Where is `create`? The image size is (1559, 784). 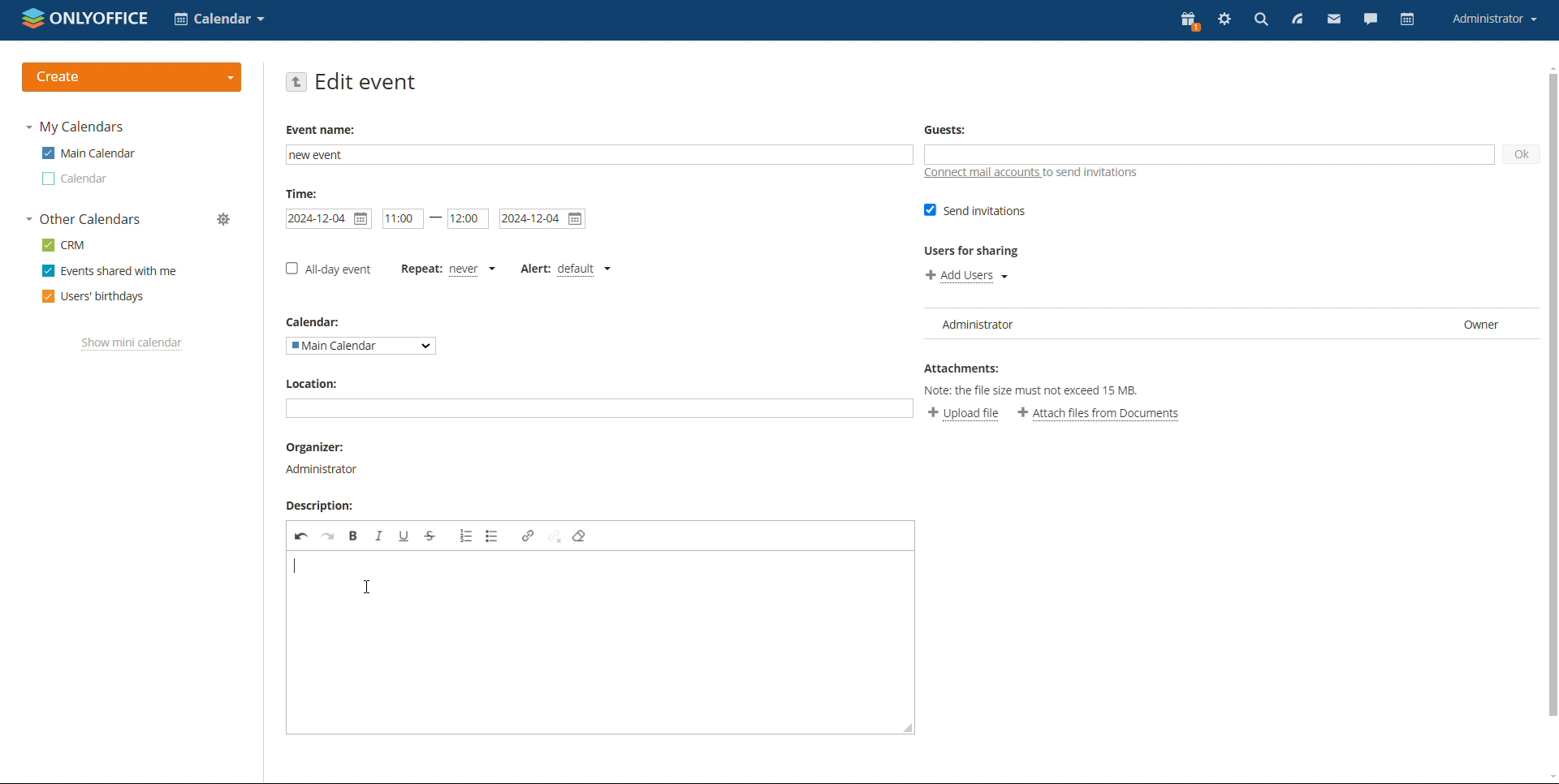 create is located at coordinates (132, 77).